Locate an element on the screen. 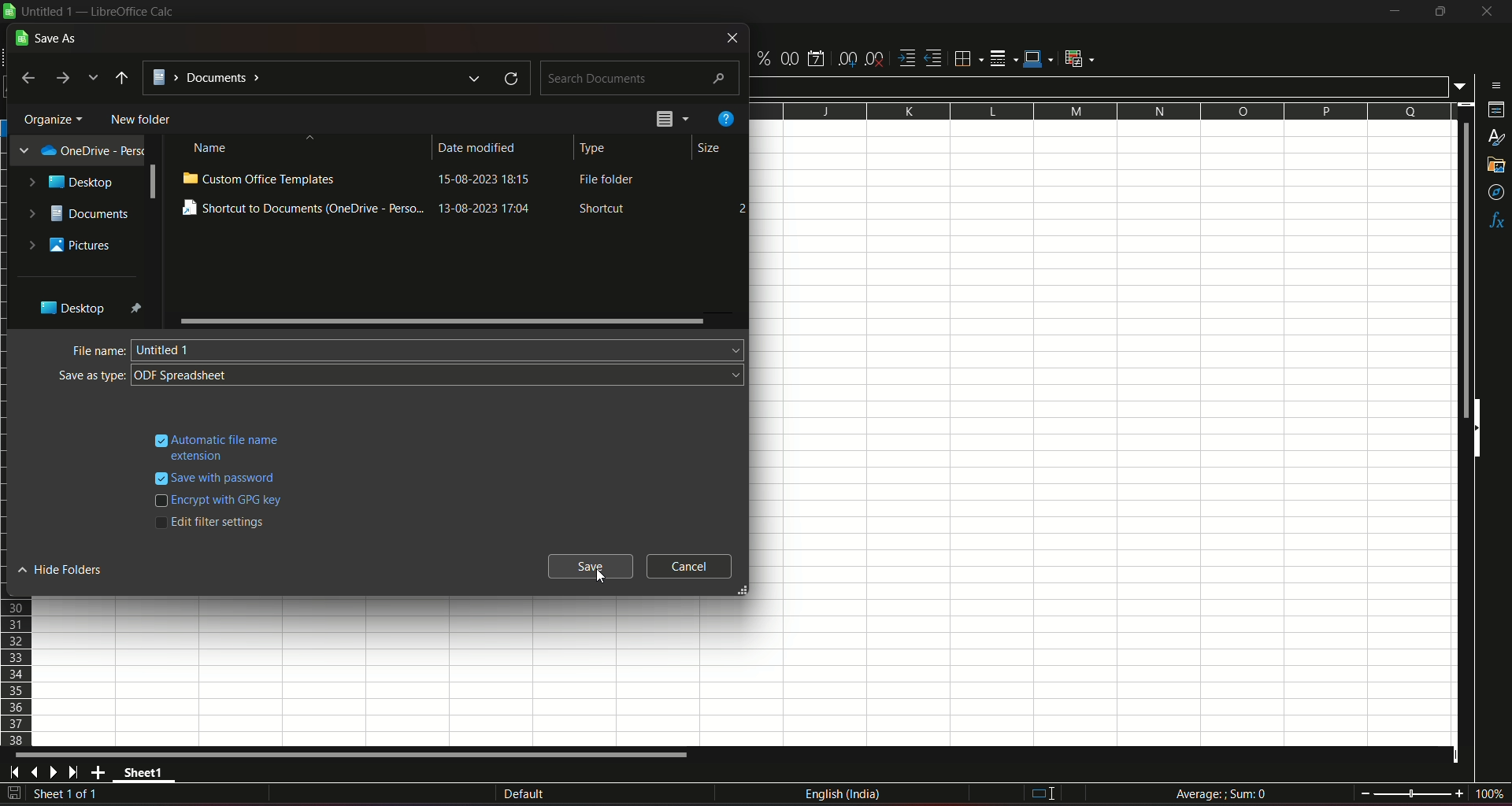 This screenshot has width=1512, height=806. sheet name is located at coordinates (146, 775).